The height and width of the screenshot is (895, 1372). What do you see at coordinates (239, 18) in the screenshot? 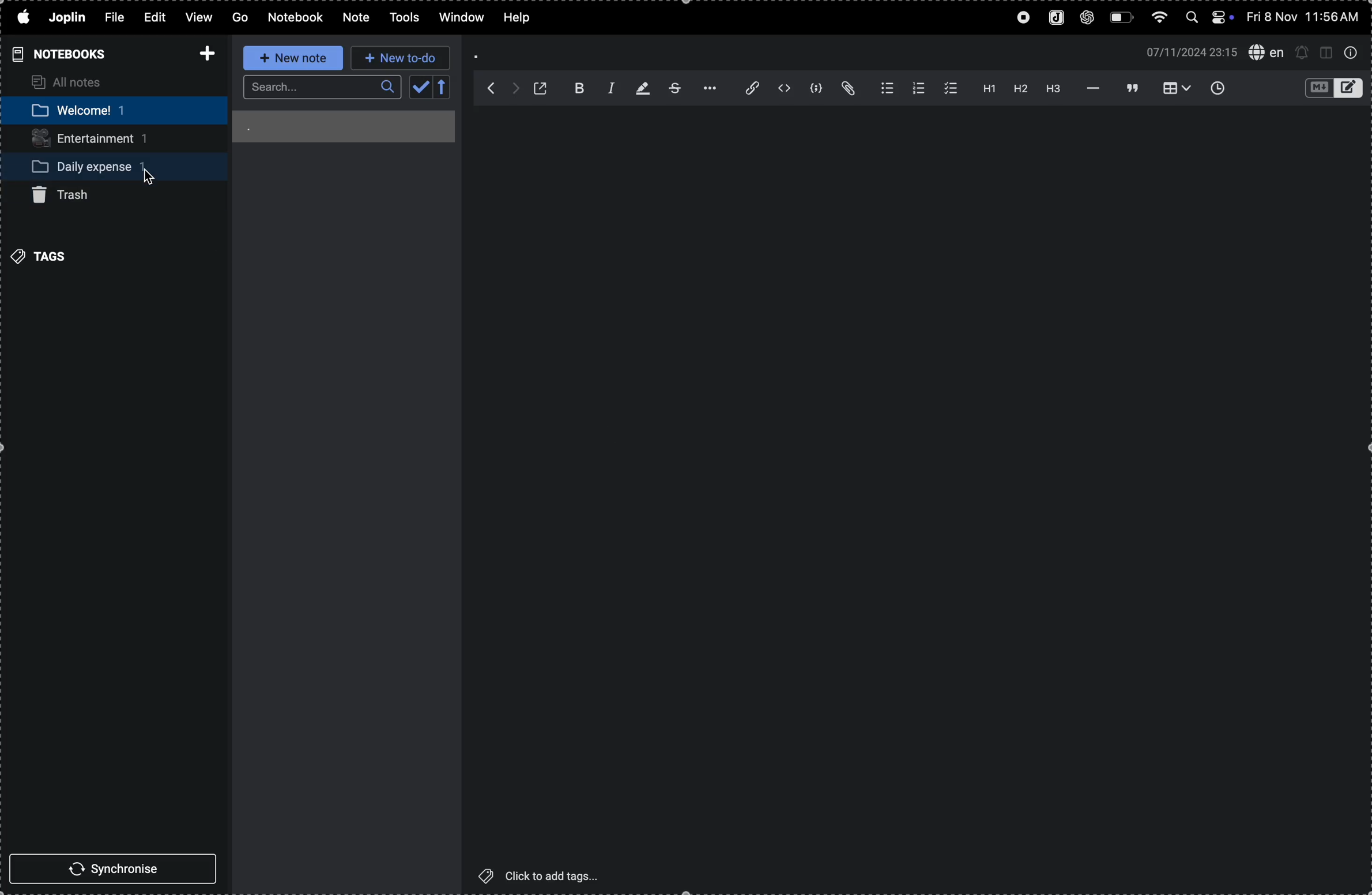
I see `go` at bounding box center [239, 18].